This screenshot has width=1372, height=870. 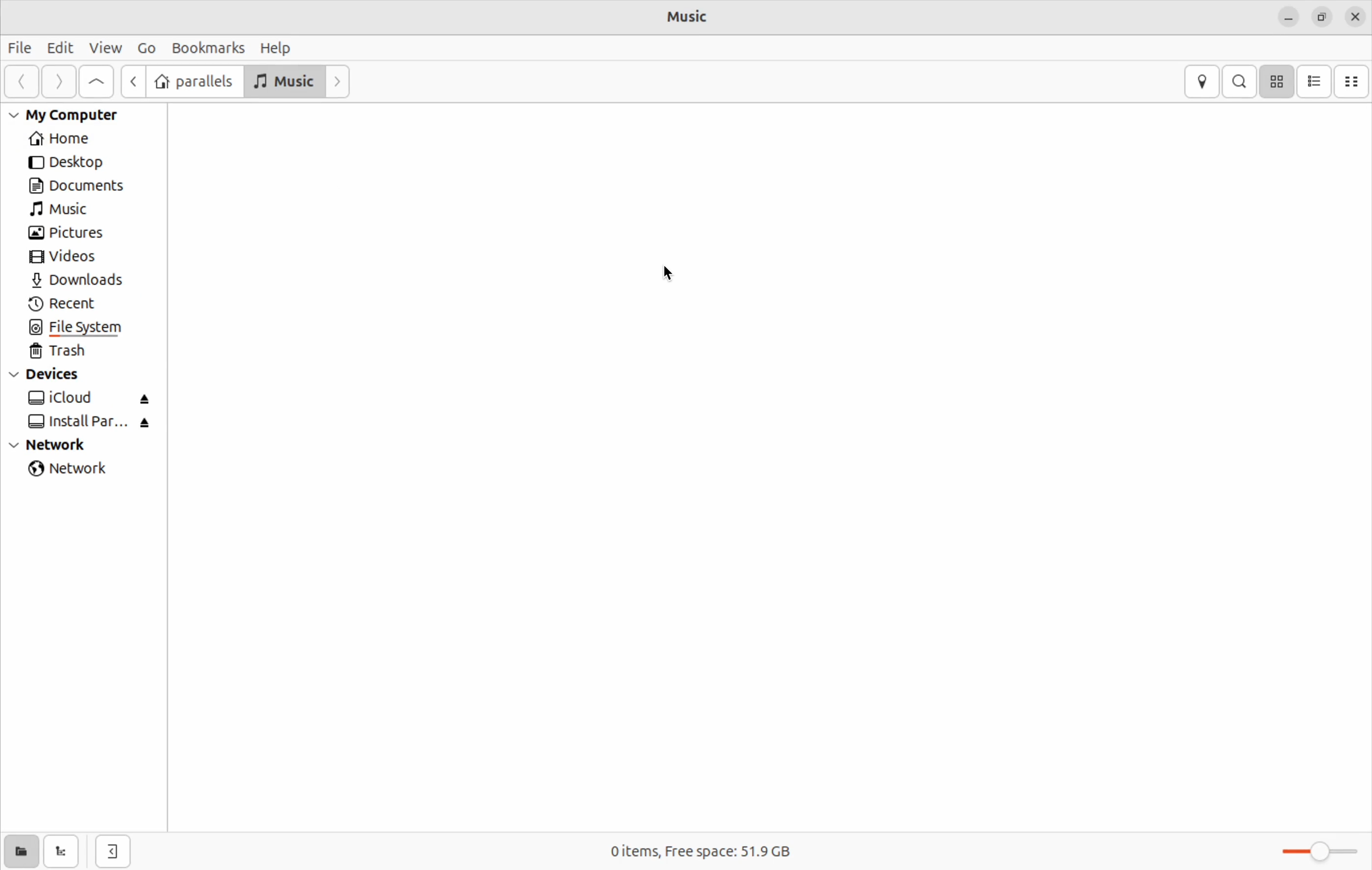 What do you see at coordinates (727, 851) in the screenshot?
I see `Free space` at bounding box center [727, 851].